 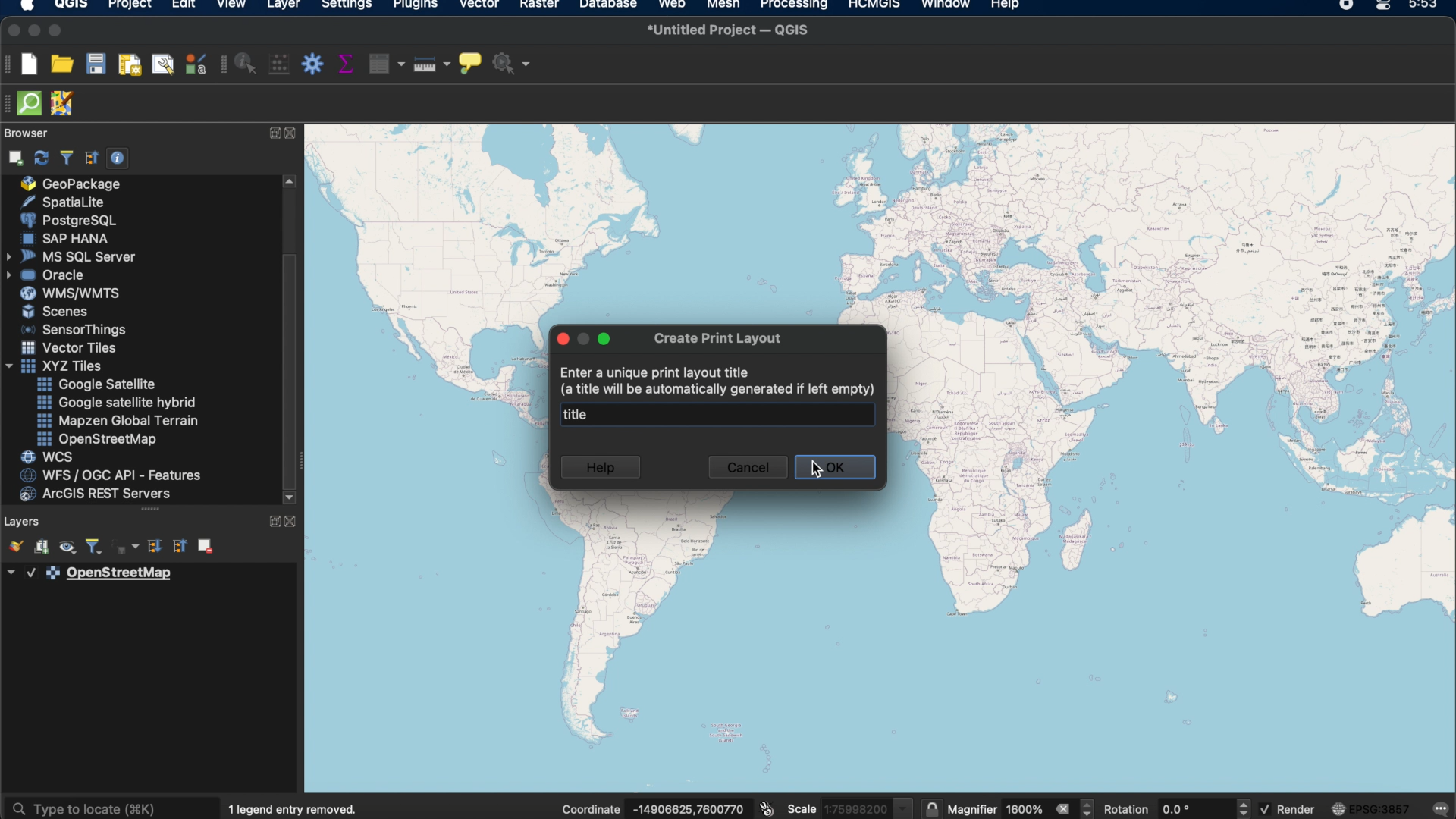 I want to click on open the layer, so click(x=16, y=544).